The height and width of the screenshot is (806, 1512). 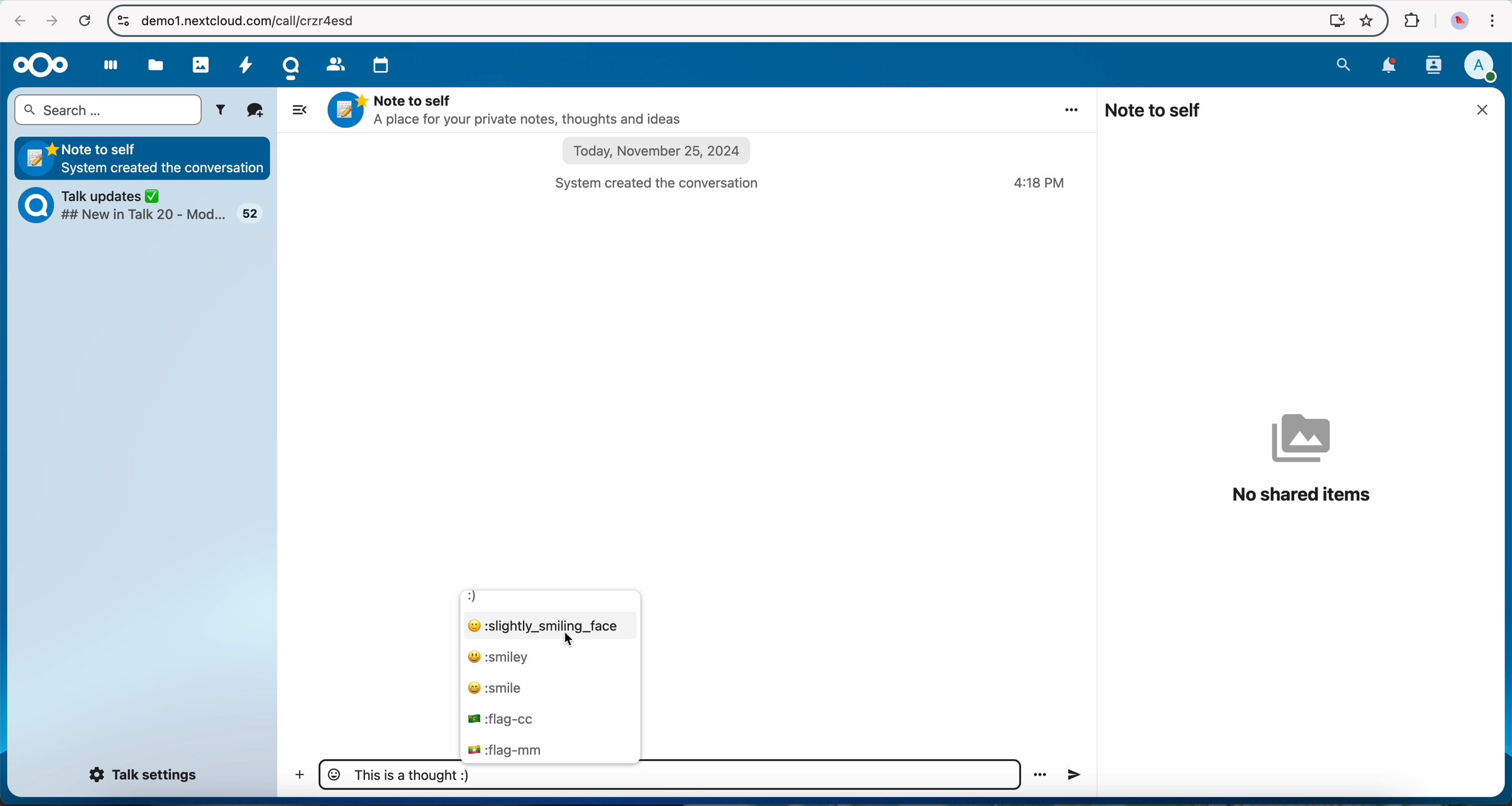 What do you see at coordinates (335, 63) in the screenshot?
I see `contacts` at bounding box center [335, 63].